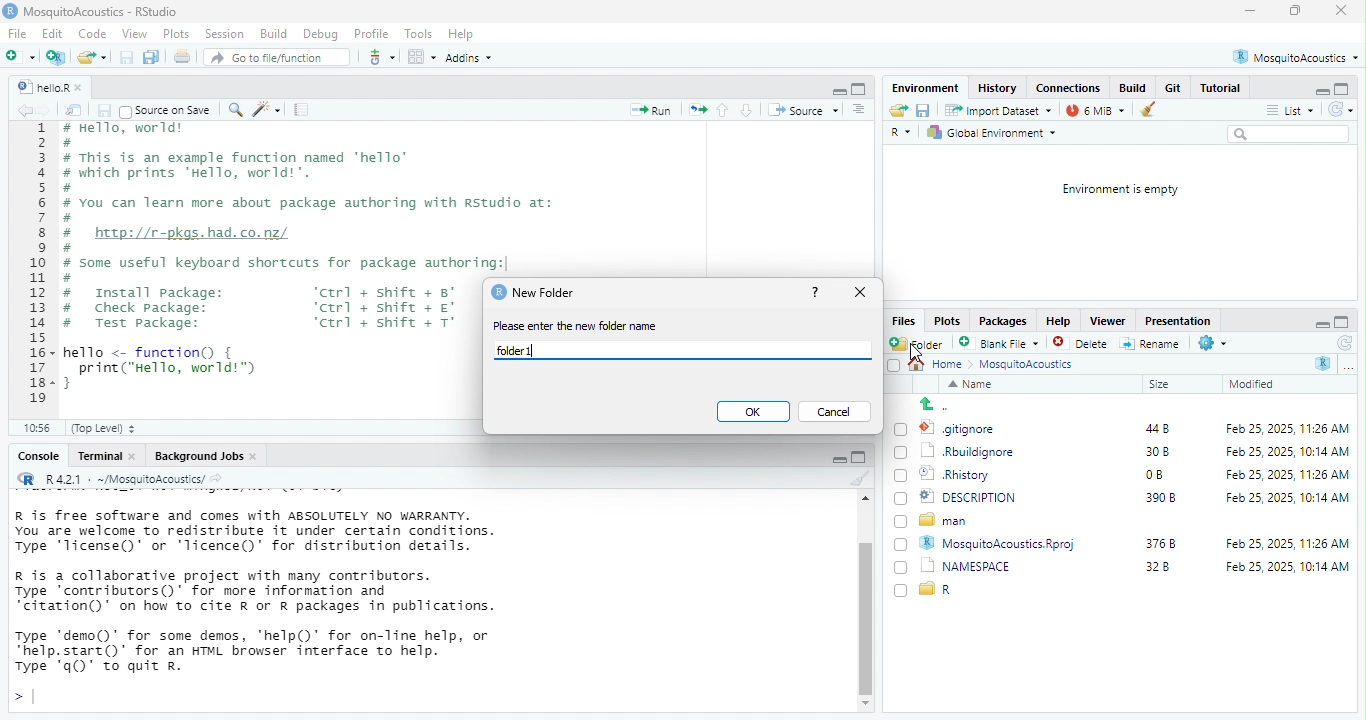 The height and width of the screenshot is (720, 1366). Describe the element at coordinates (16, 34) in the screenshot. I see `file` at that location.